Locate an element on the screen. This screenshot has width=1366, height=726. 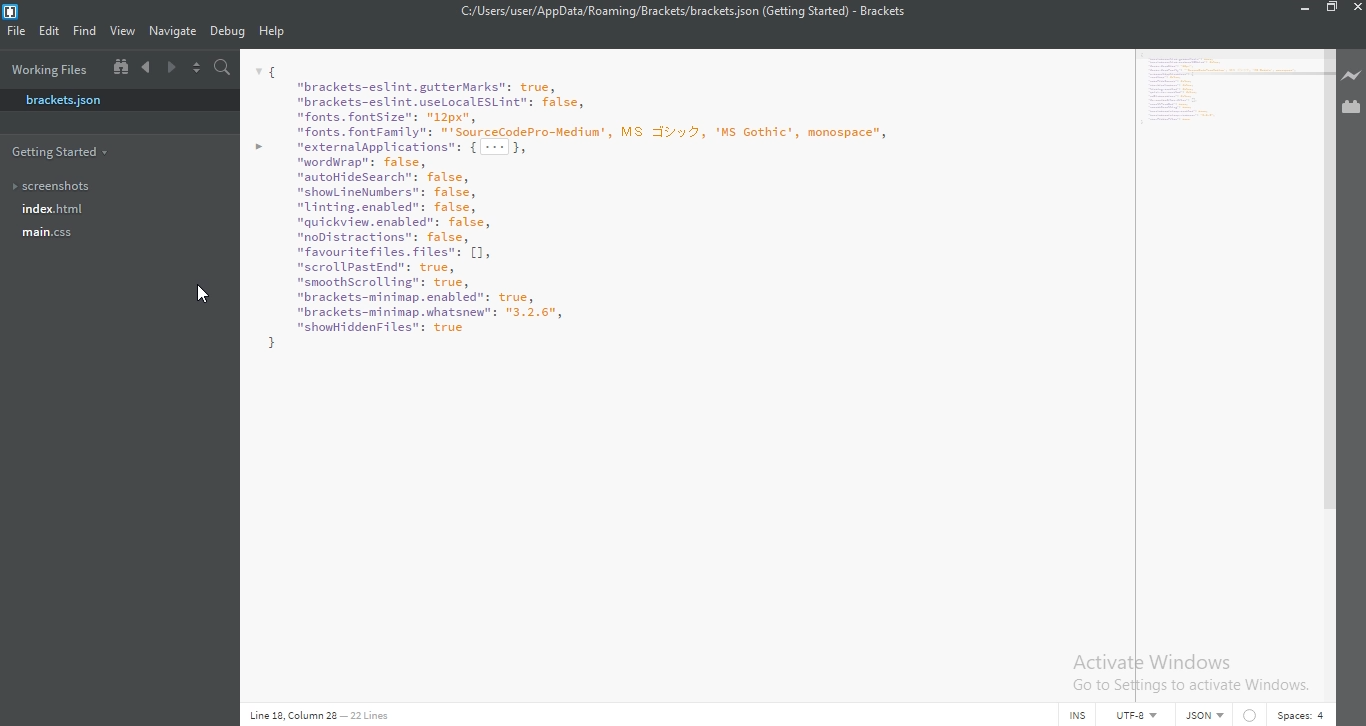
Close is located at coordinates (1357, 8).